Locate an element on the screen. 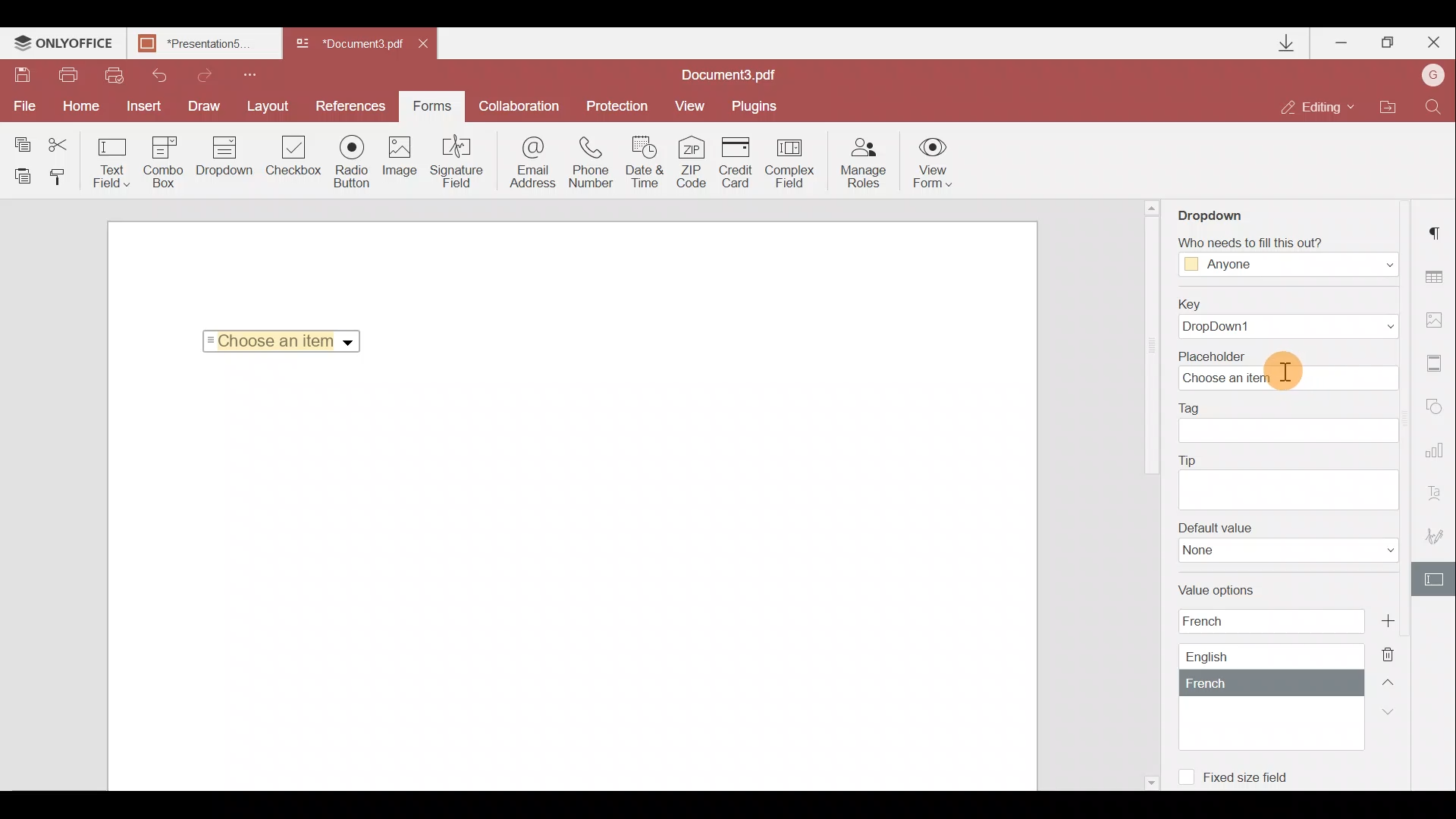 The image size is (1456, 819). Drop down is located at coordinates (224, 158).